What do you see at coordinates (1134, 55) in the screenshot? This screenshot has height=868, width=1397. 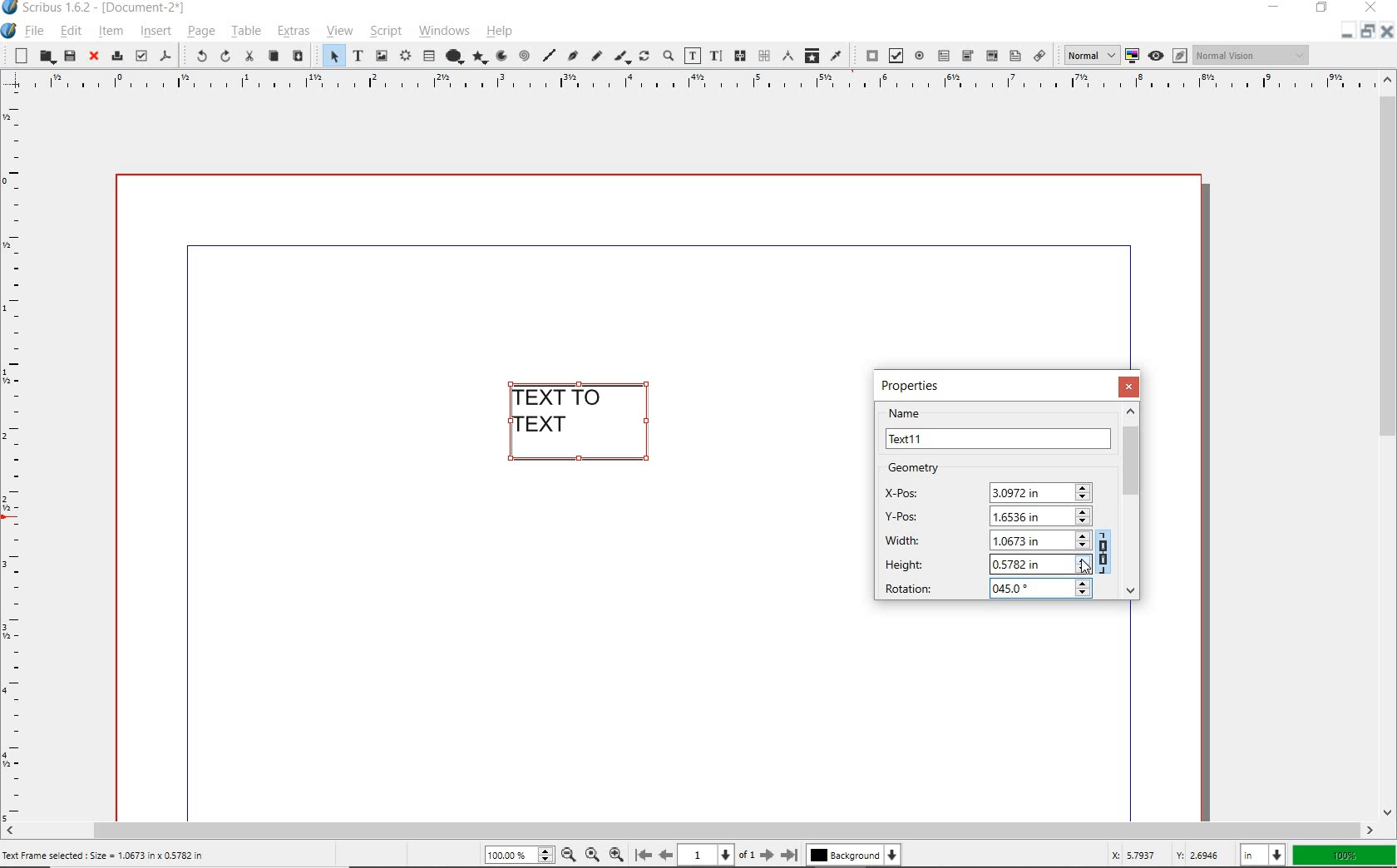 I see `toggle color` at bounding box center [1134, 55].